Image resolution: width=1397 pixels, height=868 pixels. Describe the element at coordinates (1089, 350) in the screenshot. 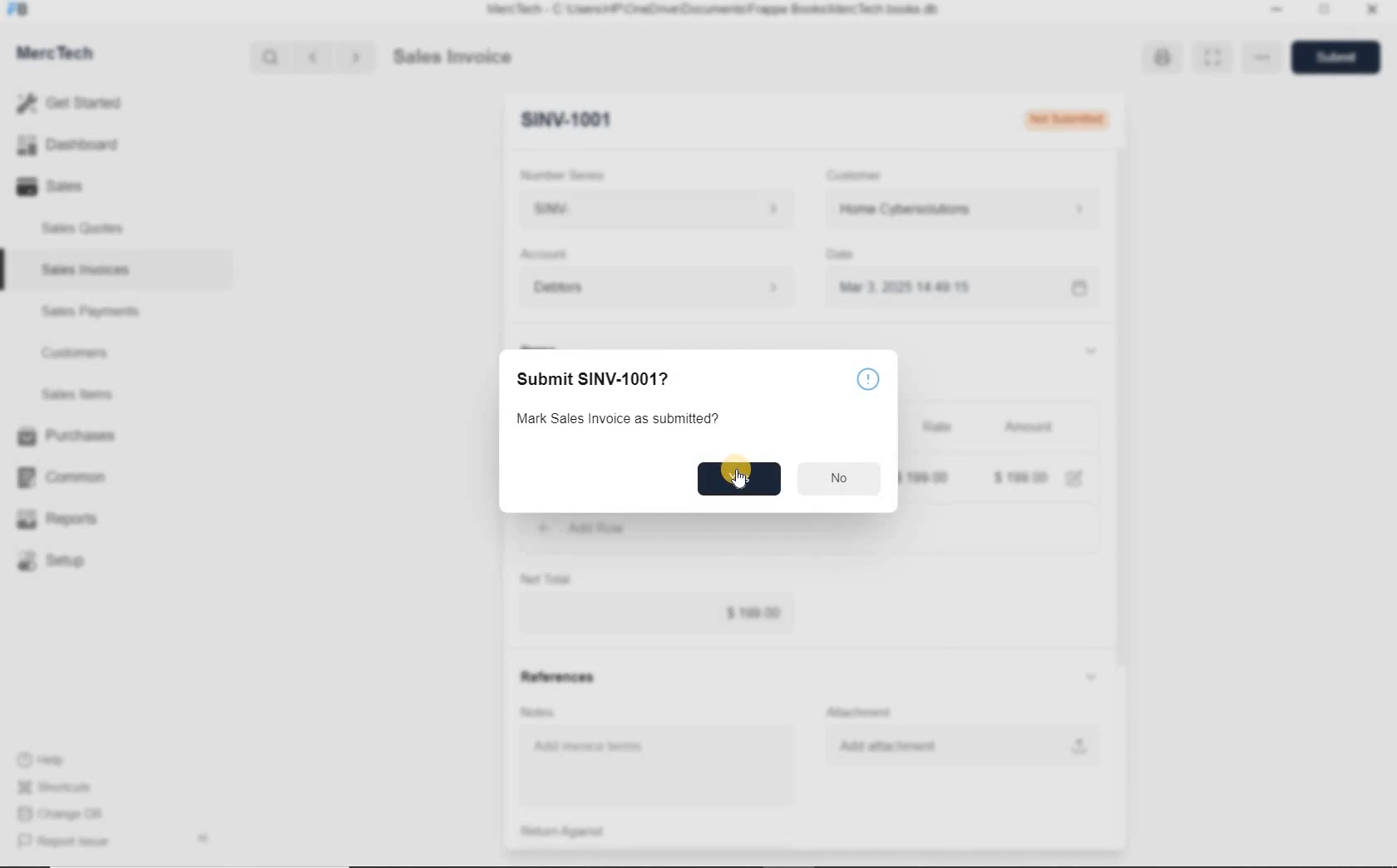

I see `hide sub menu` at that location.